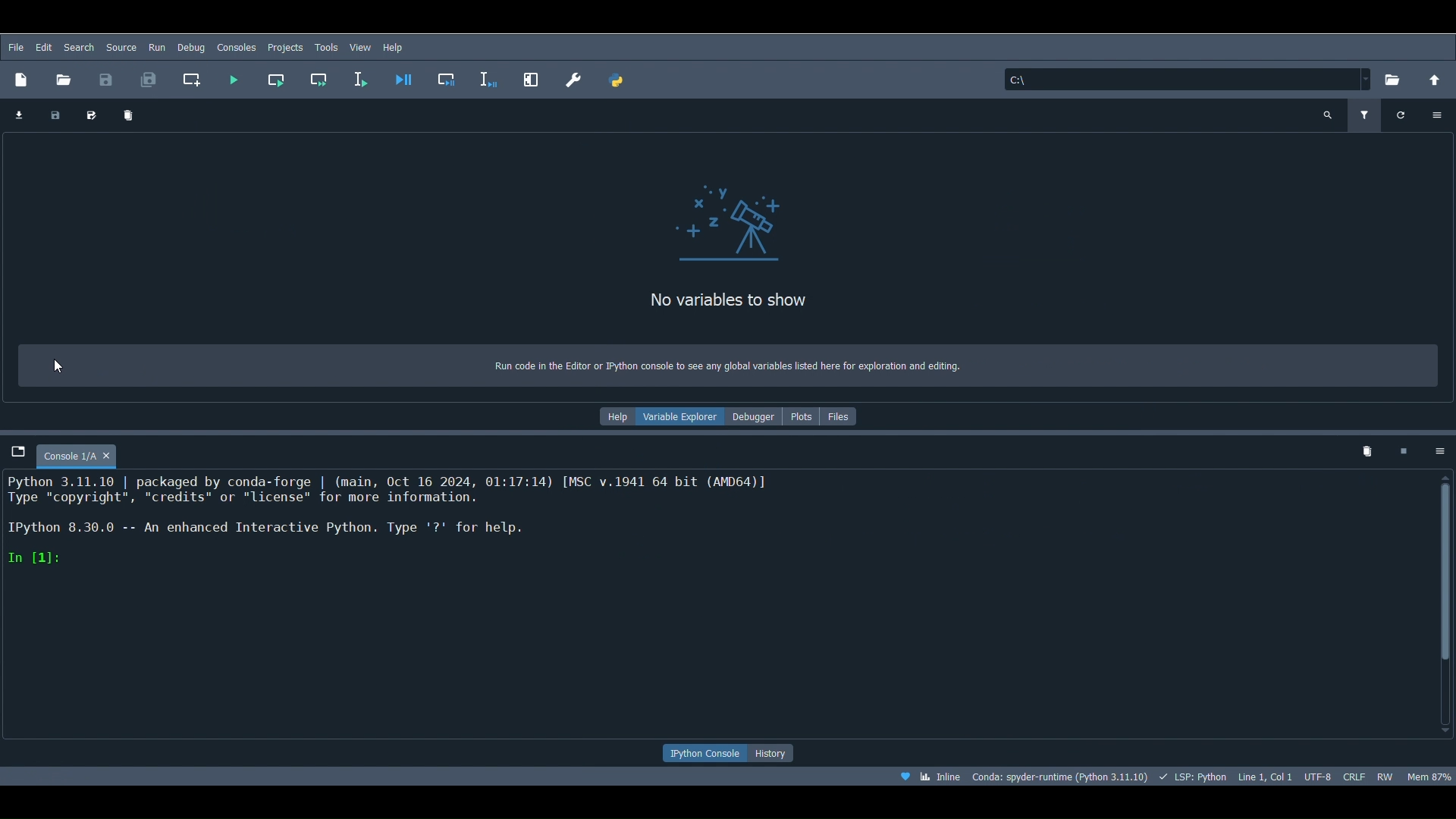  Describe the element at coordinates (449, 76) in the screenshot. I see `Debug cell` at that location.